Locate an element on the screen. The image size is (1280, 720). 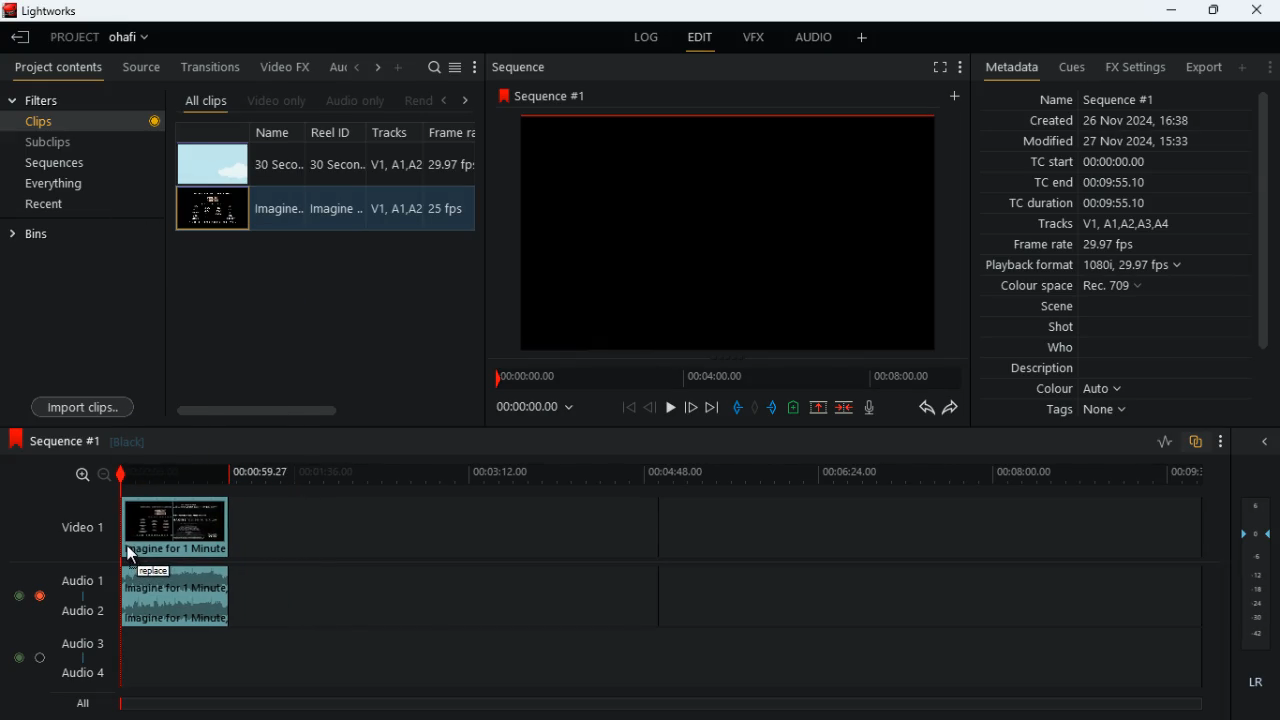
up is located at coordinates (817, 408).